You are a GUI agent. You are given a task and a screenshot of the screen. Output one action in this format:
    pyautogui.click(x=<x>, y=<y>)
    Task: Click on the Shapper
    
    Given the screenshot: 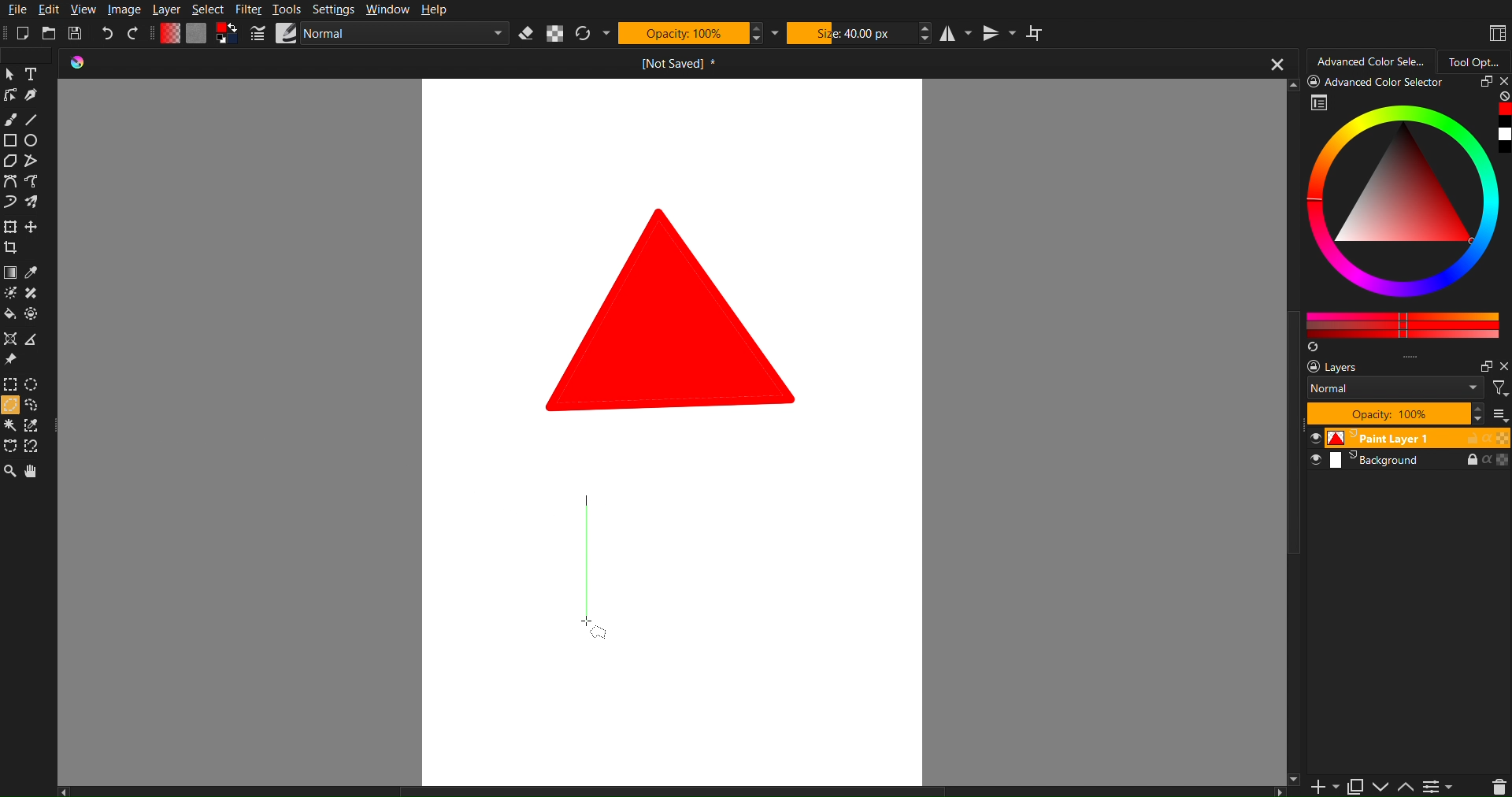 What is the action you would take?
    pyautogui.click(x=9, y=339)
    